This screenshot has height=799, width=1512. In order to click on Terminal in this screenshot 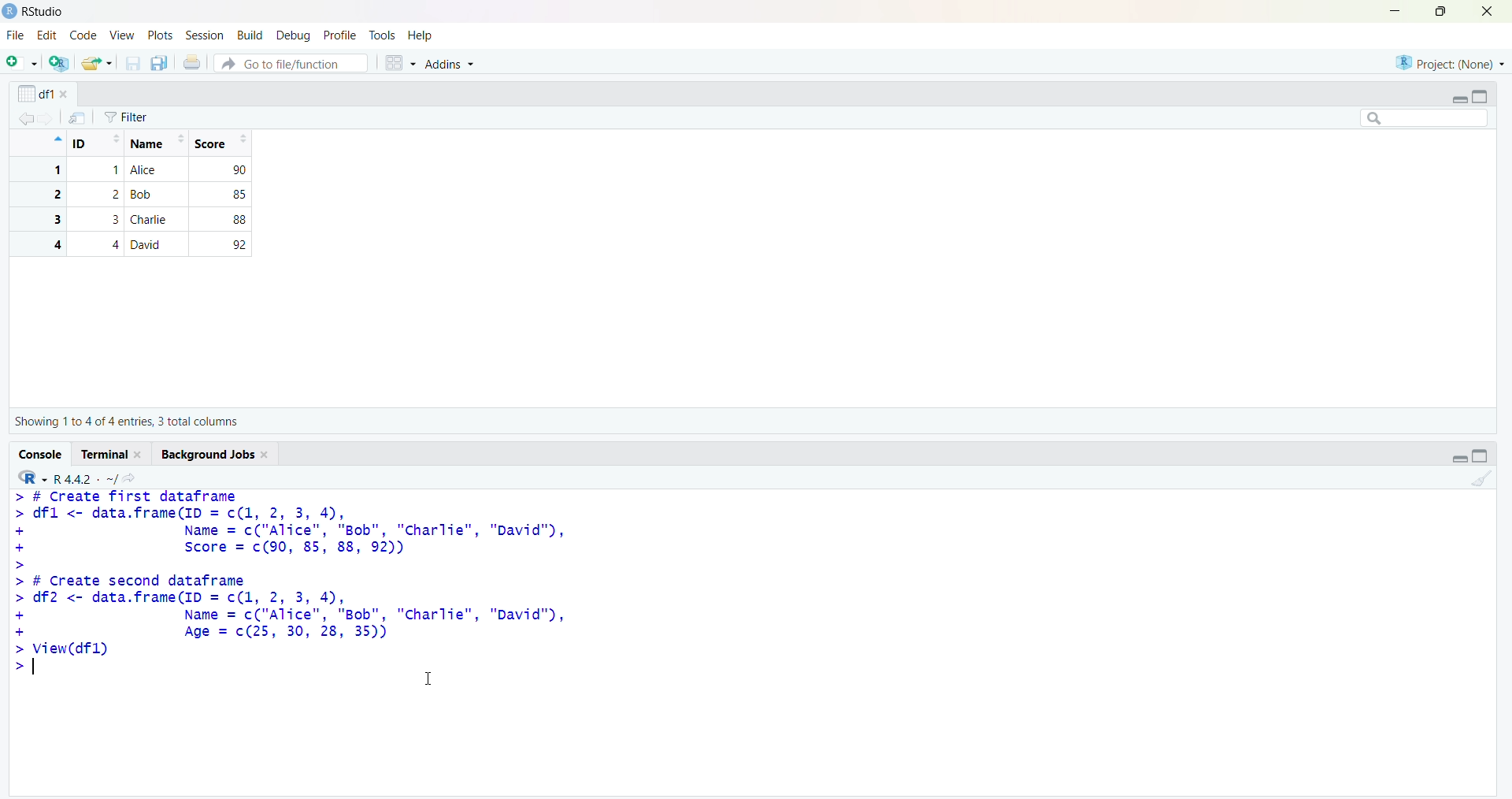, I will do `click(106, 454)`.